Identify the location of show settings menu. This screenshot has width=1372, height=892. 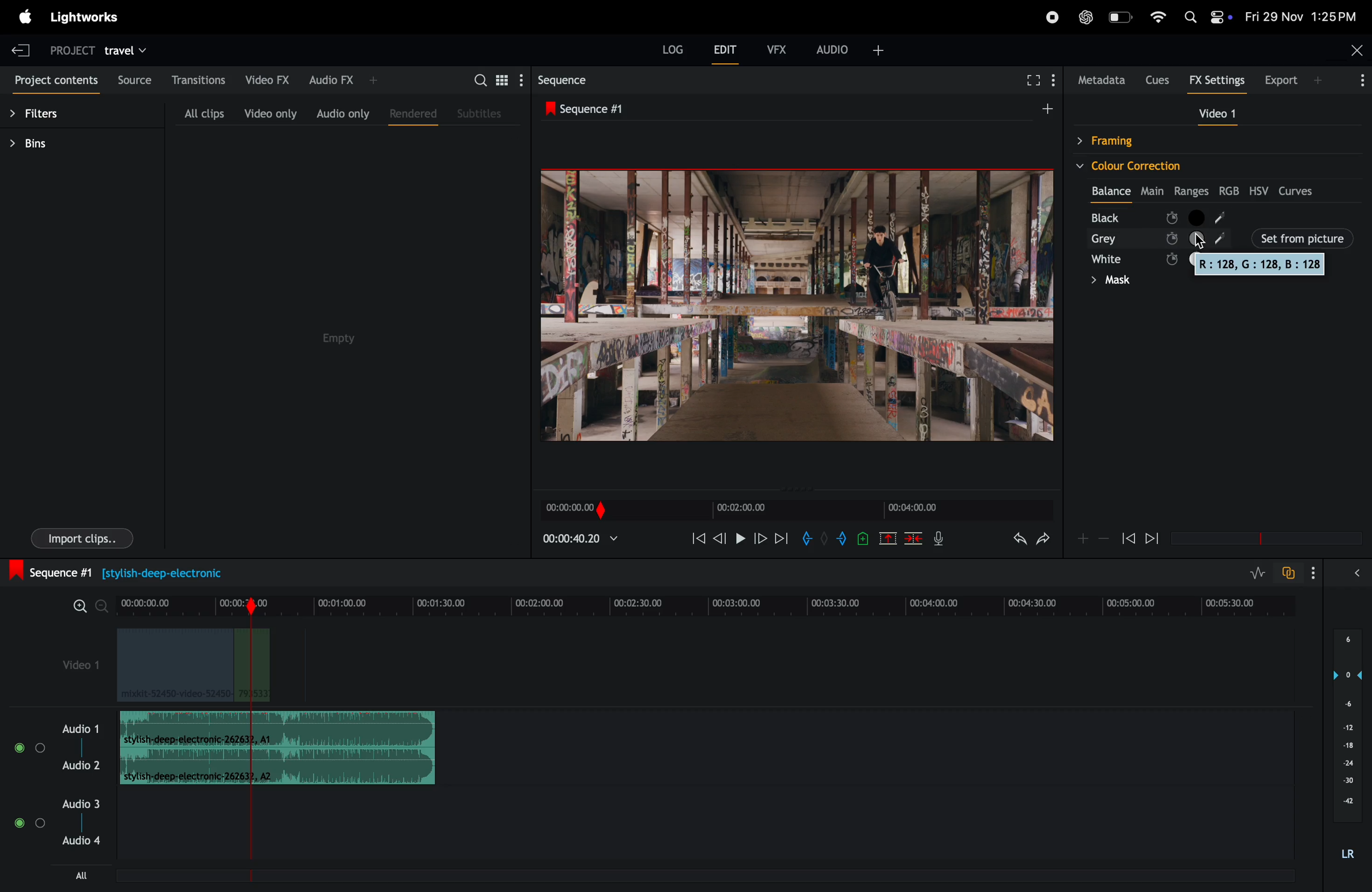
(1311, 571).